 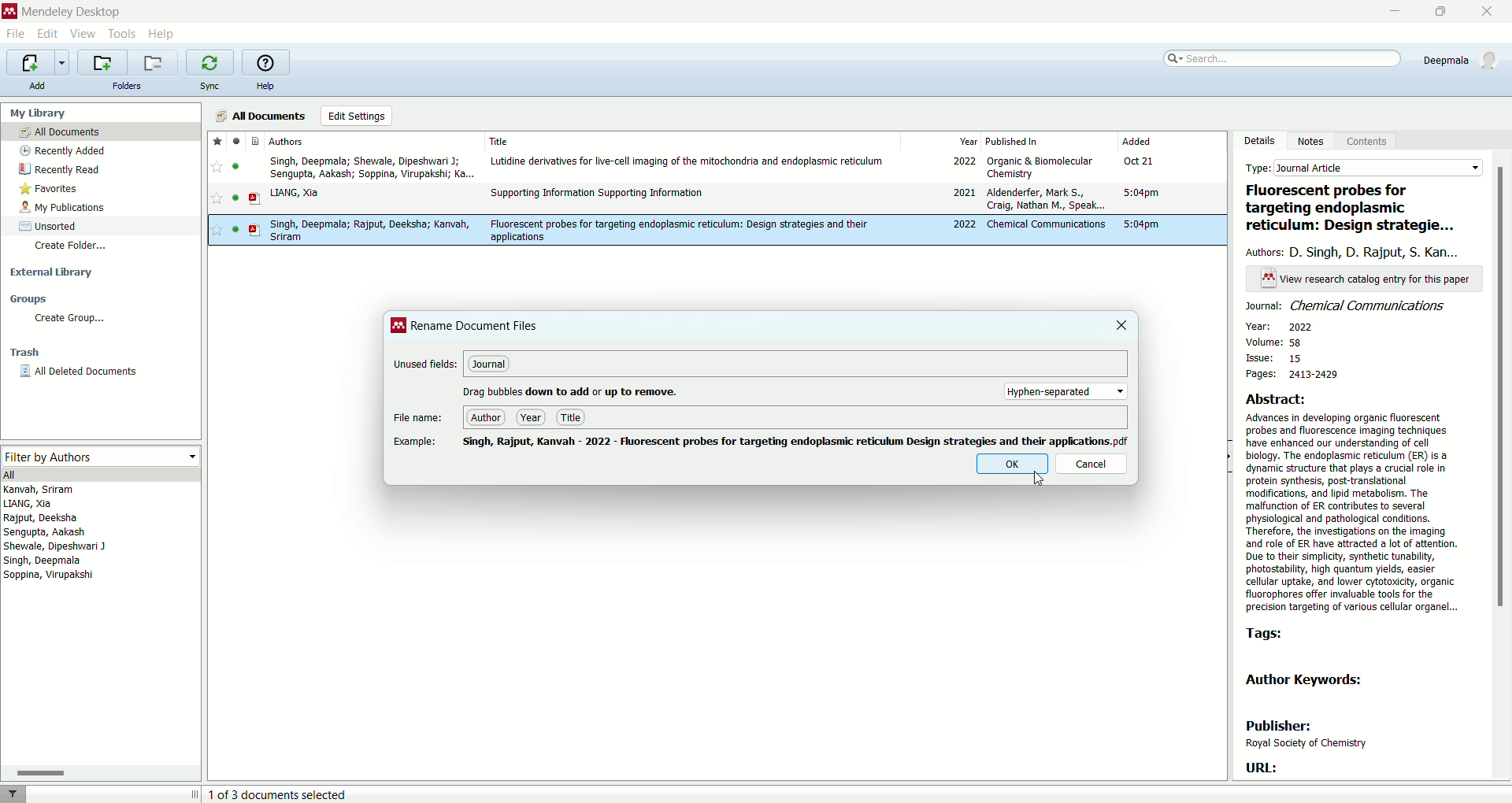 What do you see at coordinates (1141, 193) in the screenshot?
I see `5:04pm` at bounding box center [1141, 193].